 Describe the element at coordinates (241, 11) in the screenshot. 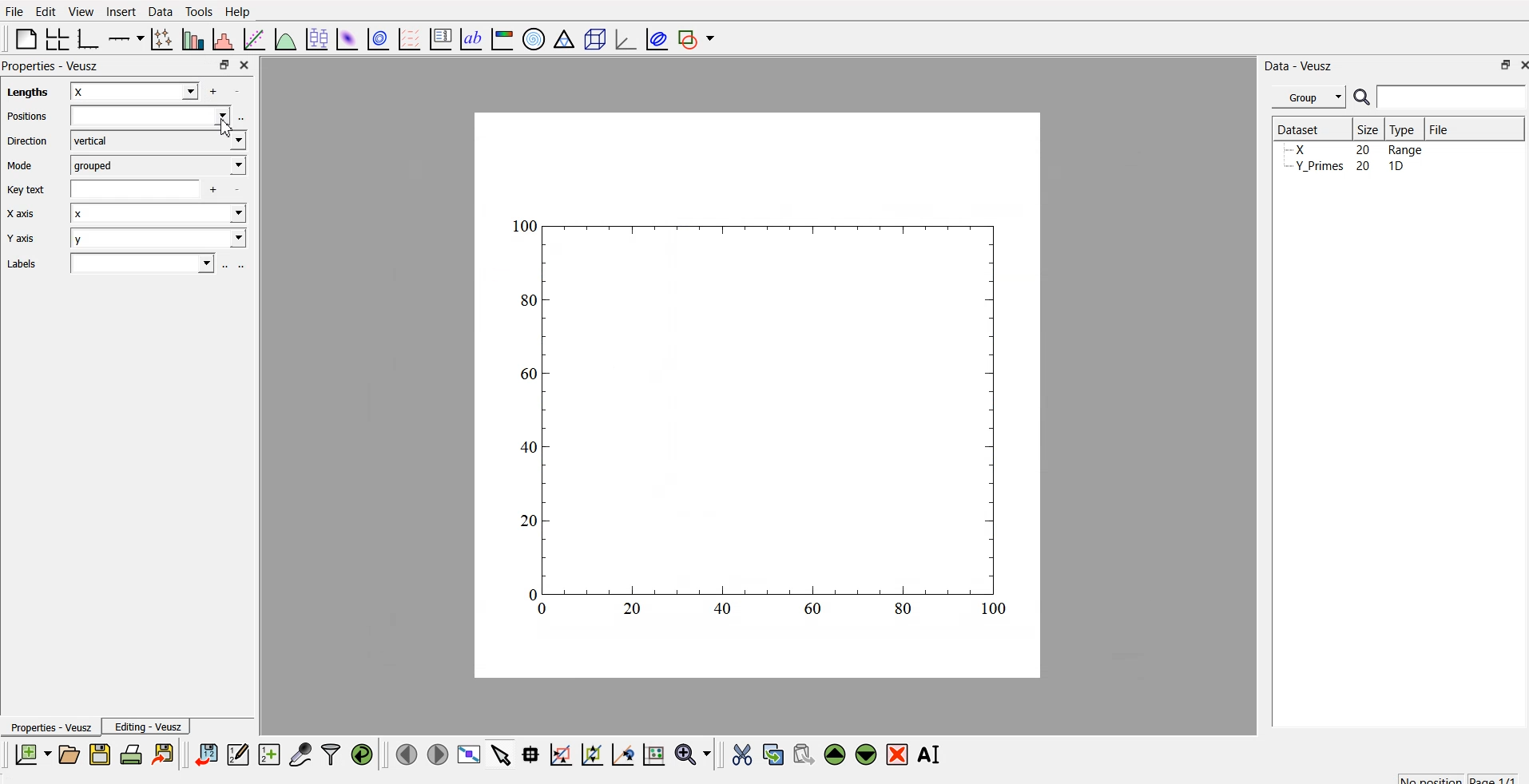

I see `Help` at that location.